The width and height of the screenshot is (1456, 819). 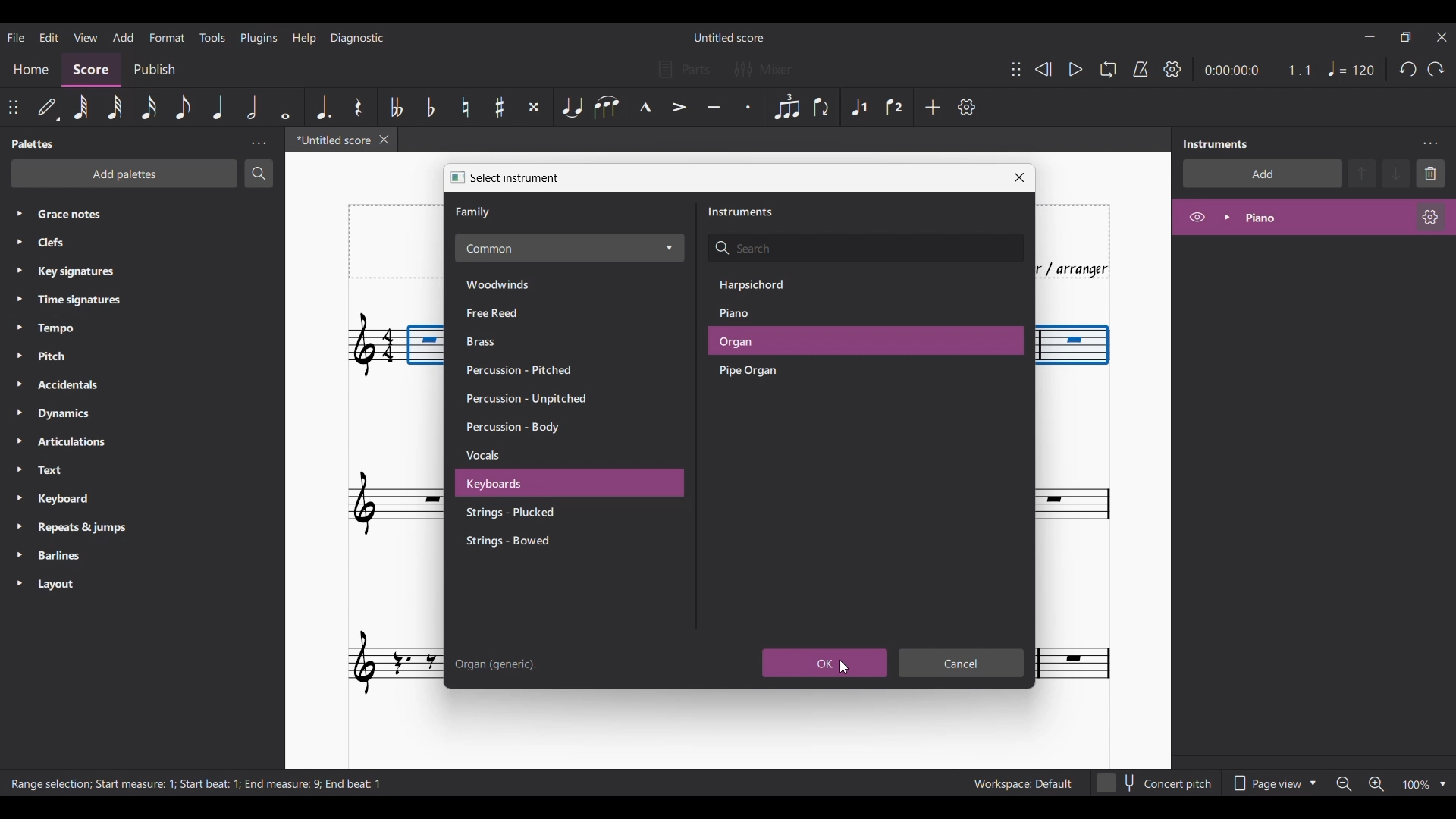 I want to click on Diagnostic menu, so click(x=358, y=38).